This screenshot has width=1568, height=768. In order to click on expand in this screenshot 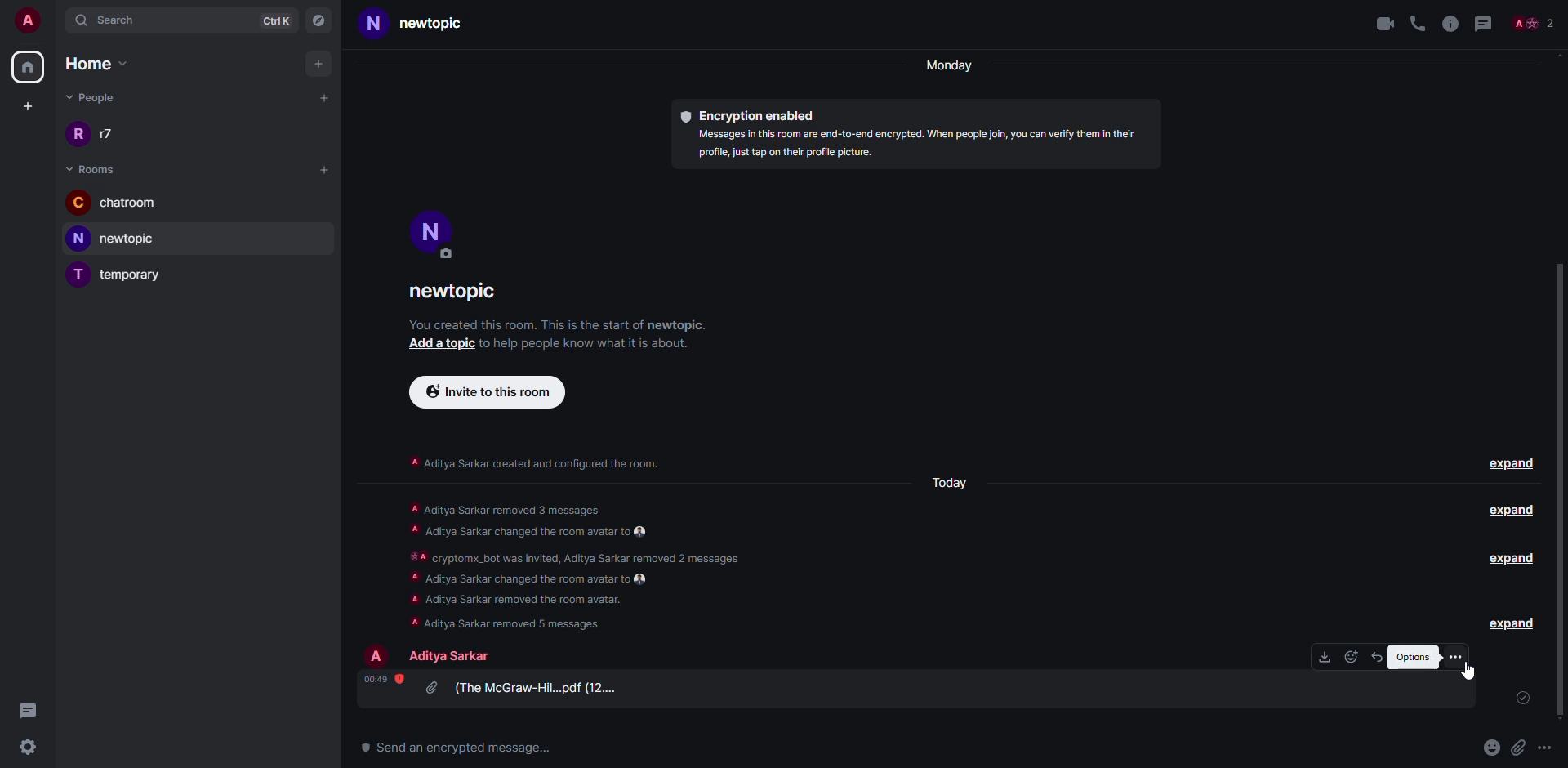, I will do `click(1507, 557)`.